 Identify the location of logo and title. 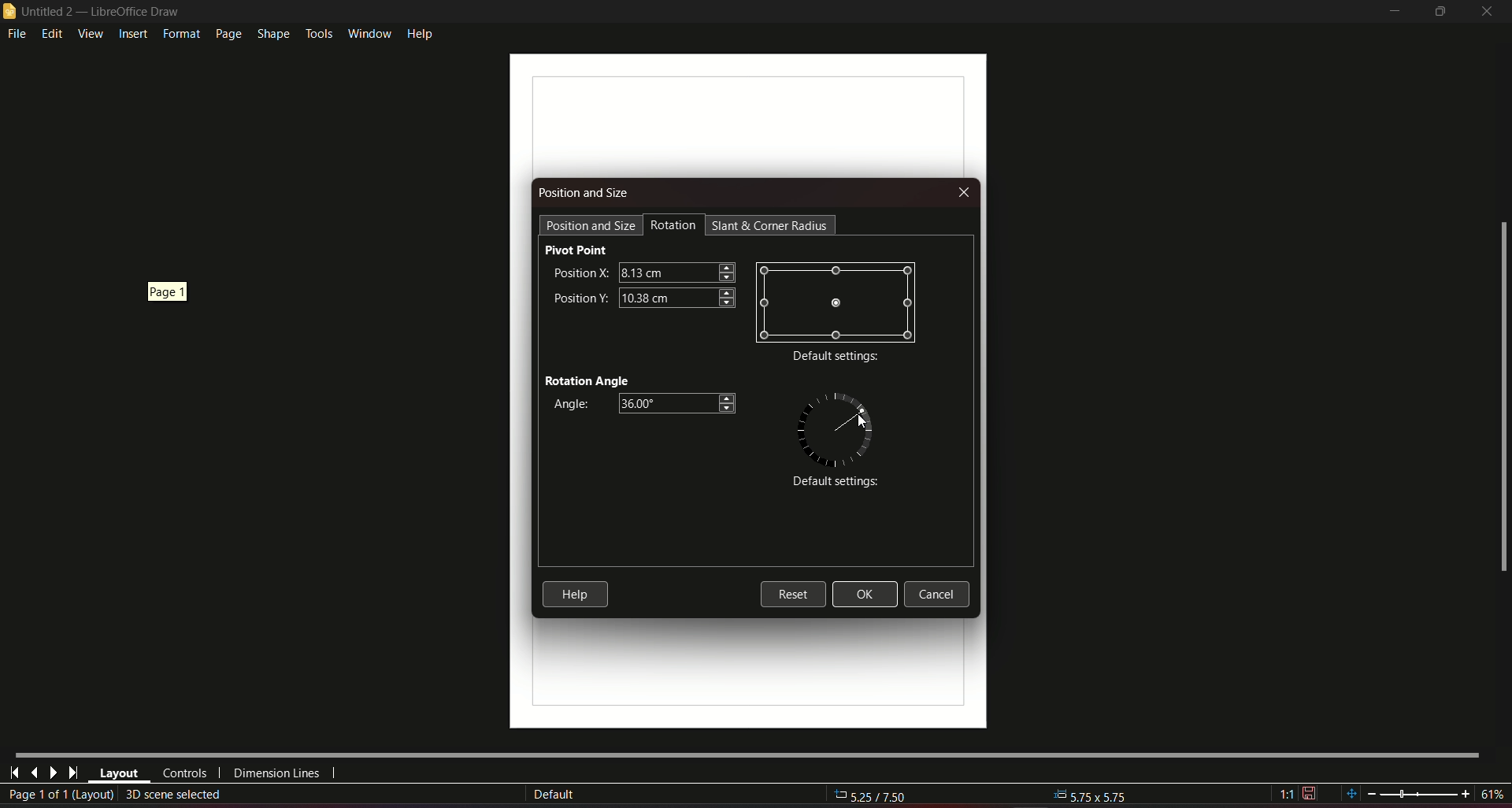
(93, 12).